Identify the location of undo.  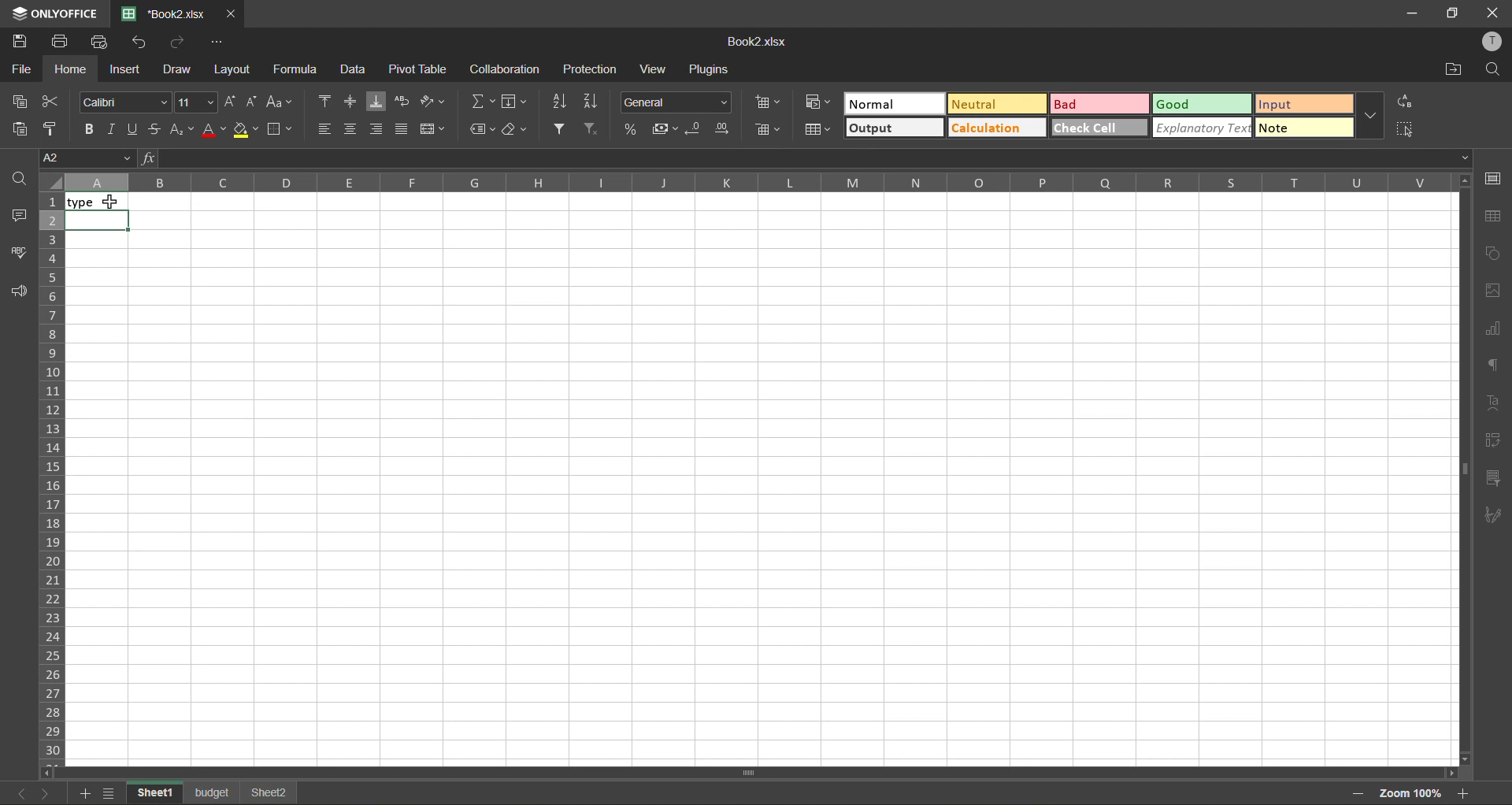
(144, 43).